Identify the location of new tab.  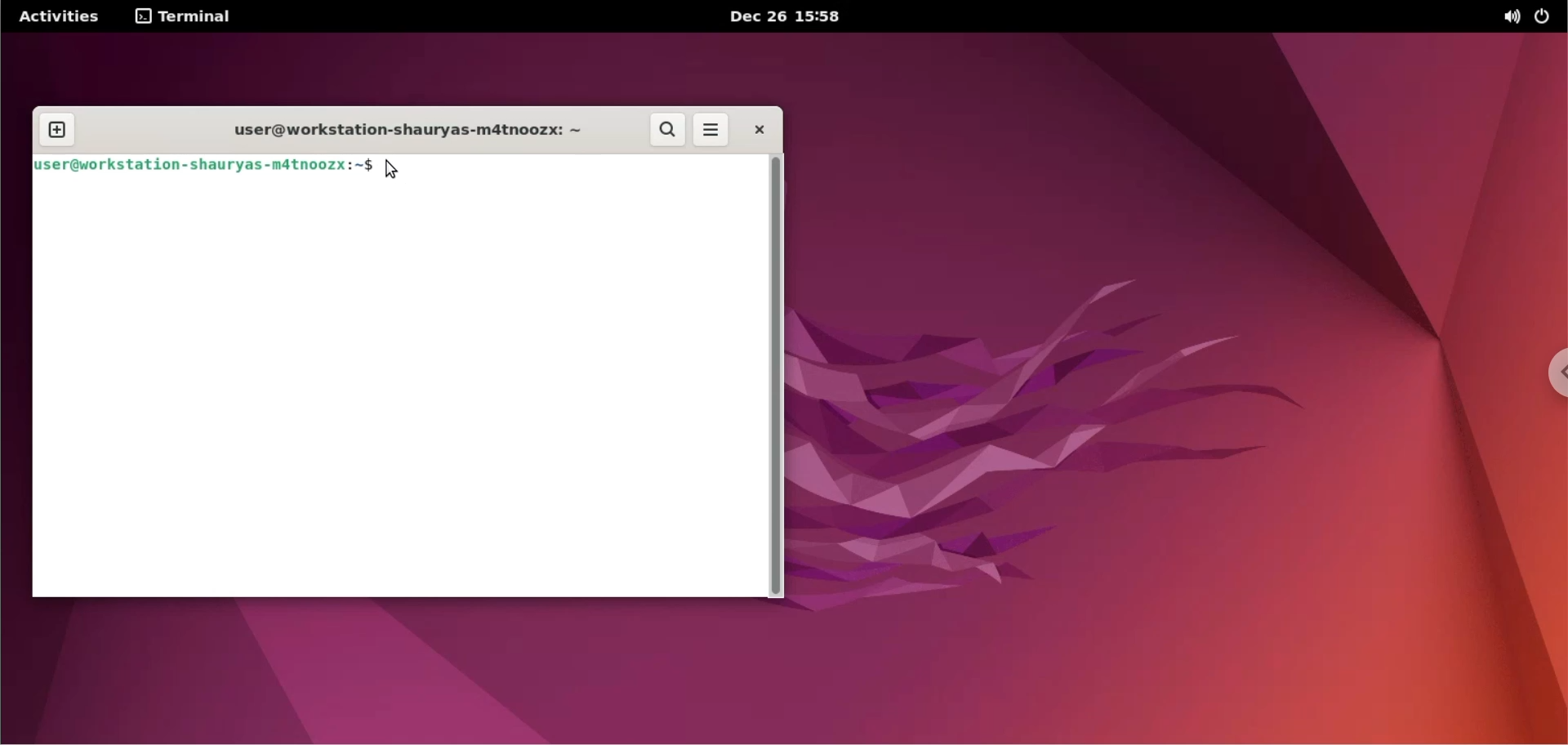
(55, 132).